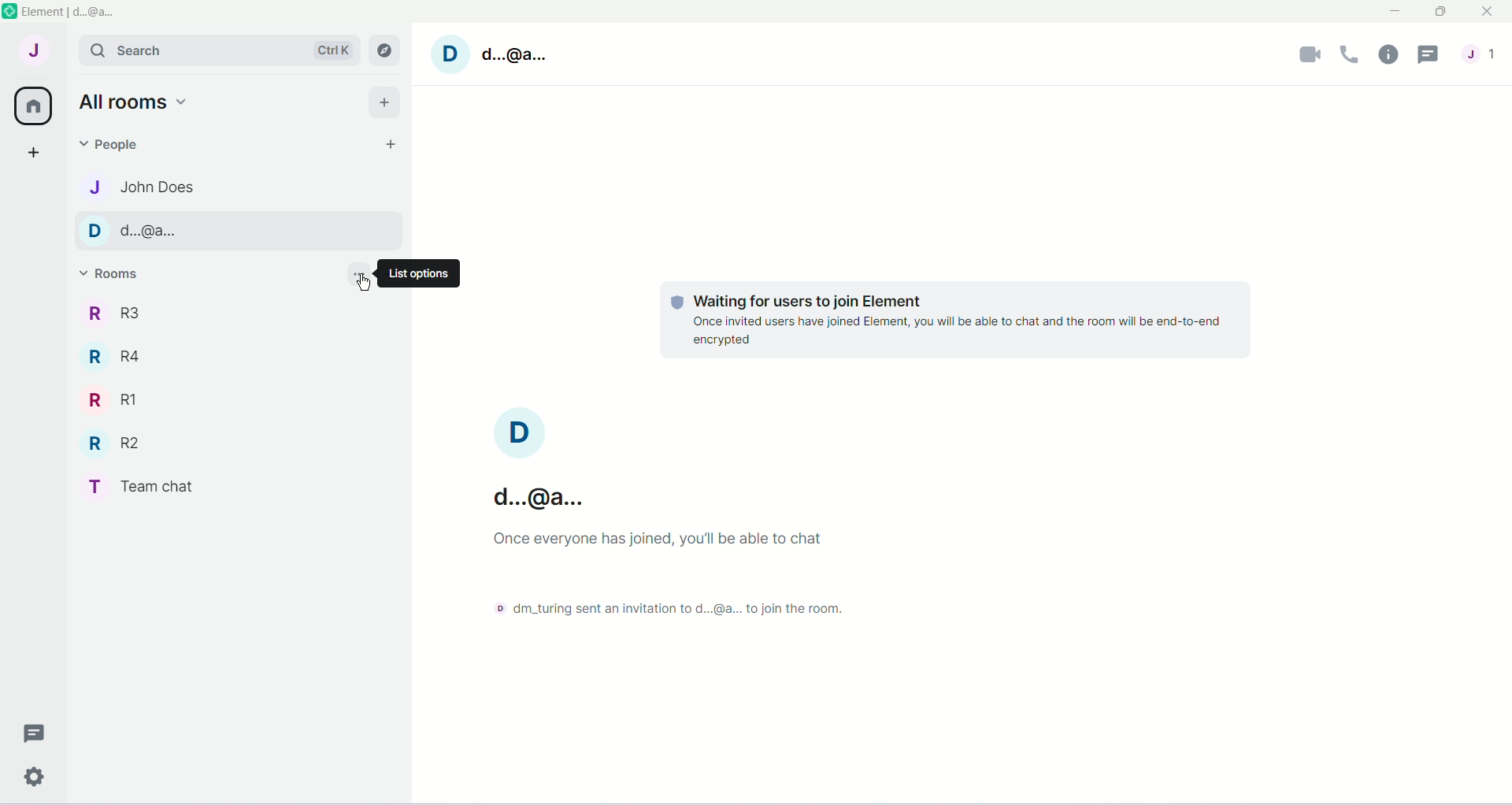  I want to click on User name-d..@a, so click(538, 463).